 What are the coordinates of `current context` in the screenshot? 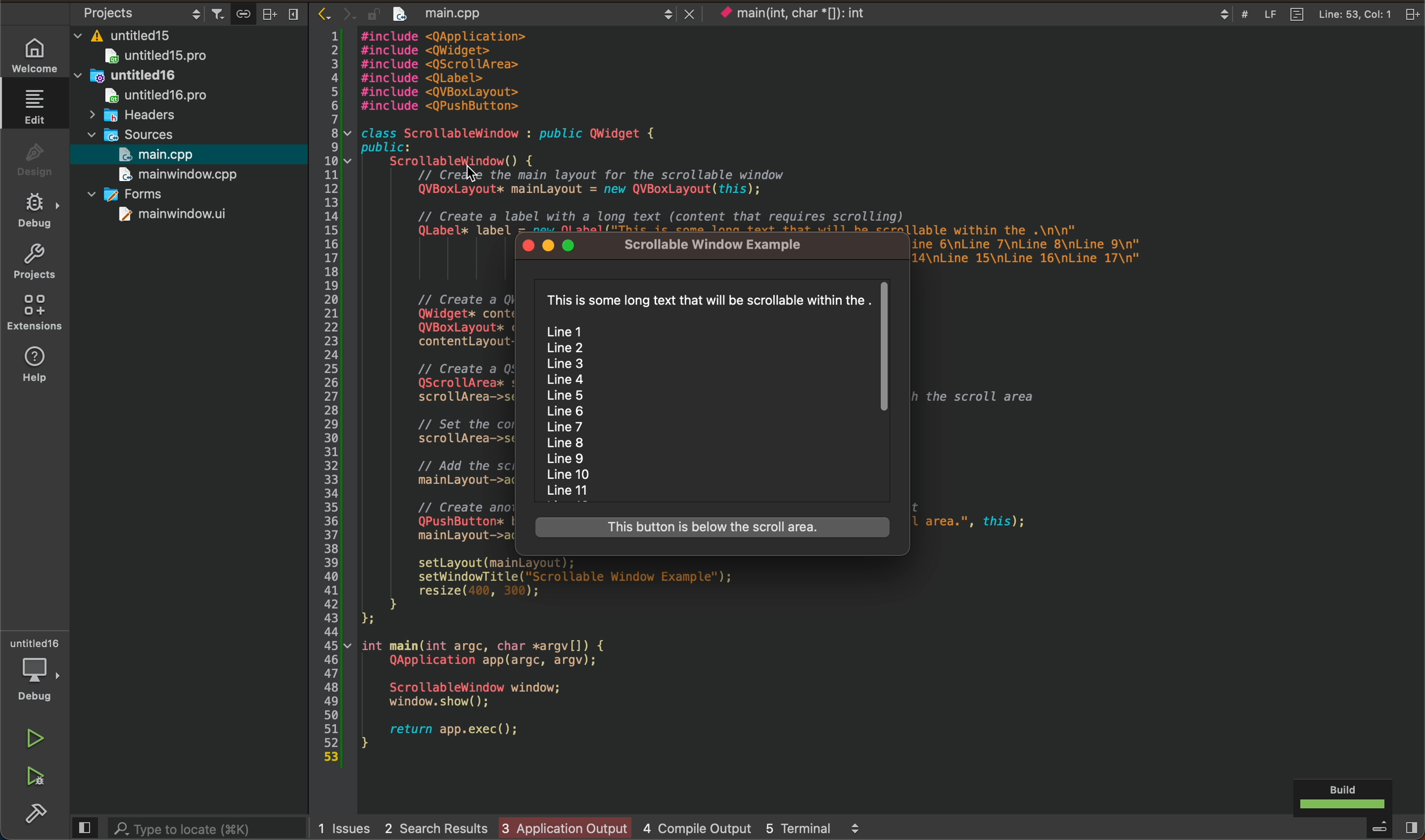 It's located at (807, 15).